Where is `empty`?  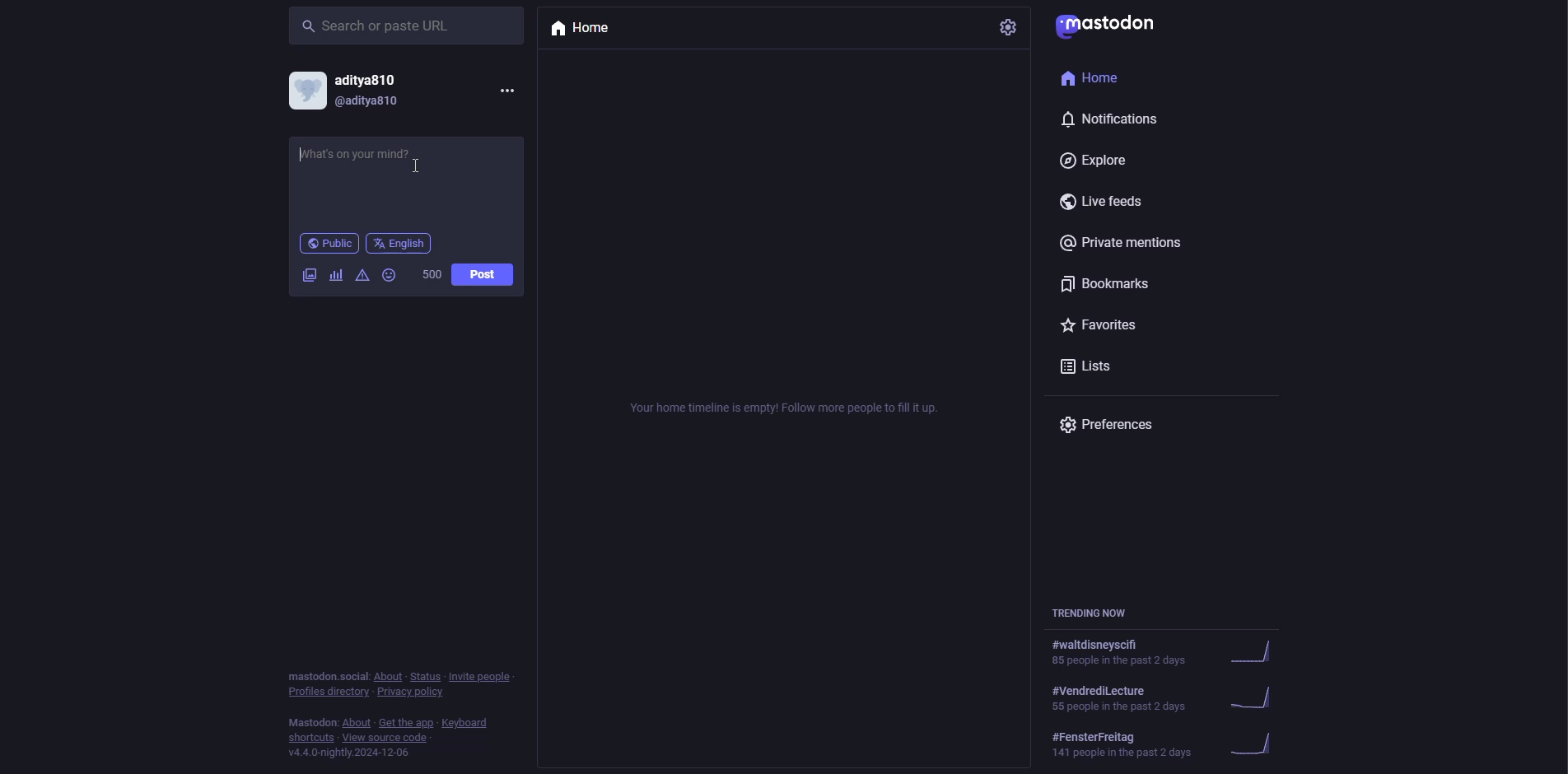 empty is located at coordinates (791, 405).